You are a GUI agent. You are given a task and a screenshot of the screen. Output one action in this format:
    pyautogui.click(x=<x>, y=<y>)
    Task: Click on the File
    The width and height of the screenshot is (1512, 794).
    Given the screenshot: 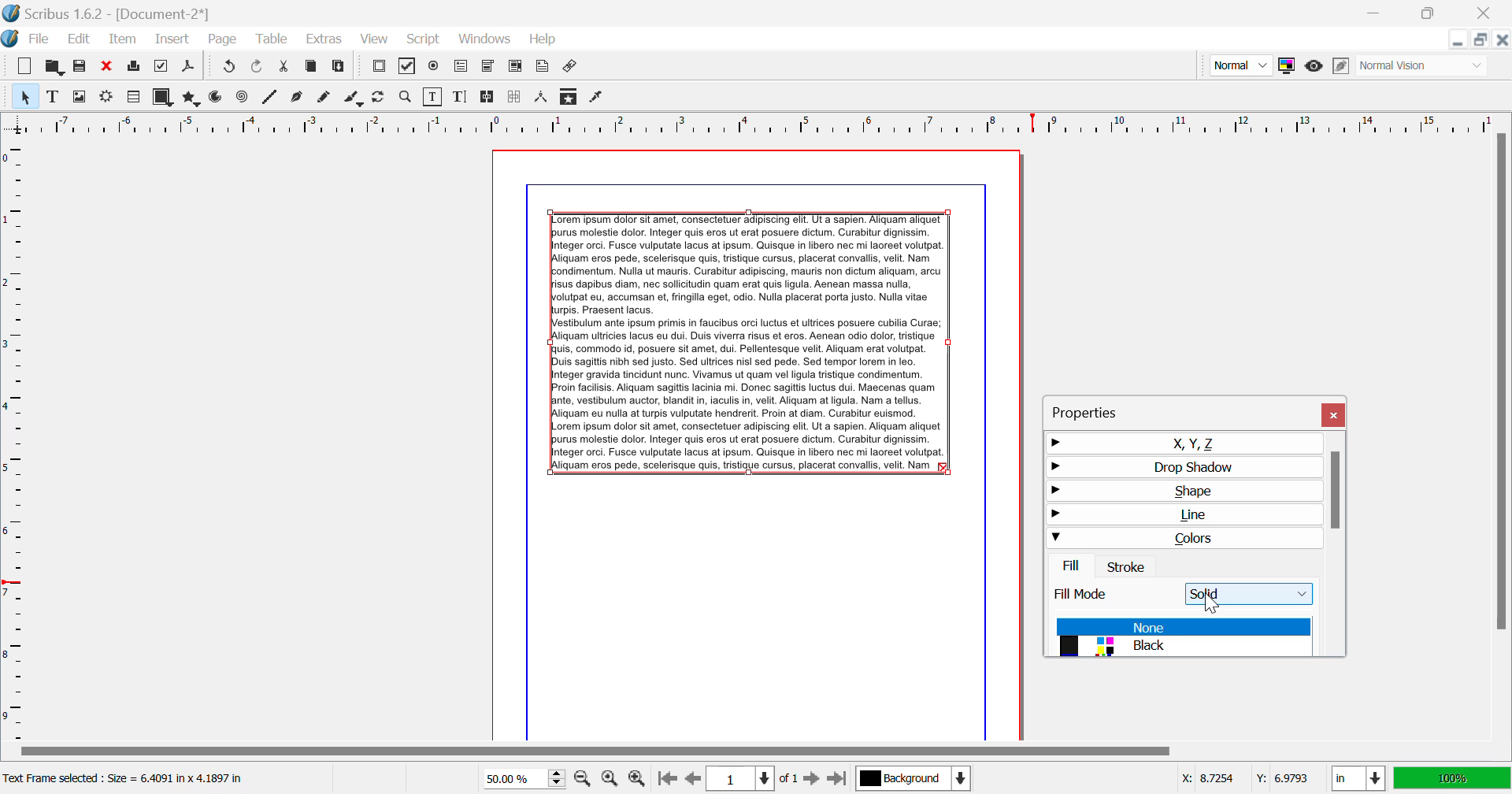 What is the action you would take?
    pyautogui.click(x=28, y=39)
    